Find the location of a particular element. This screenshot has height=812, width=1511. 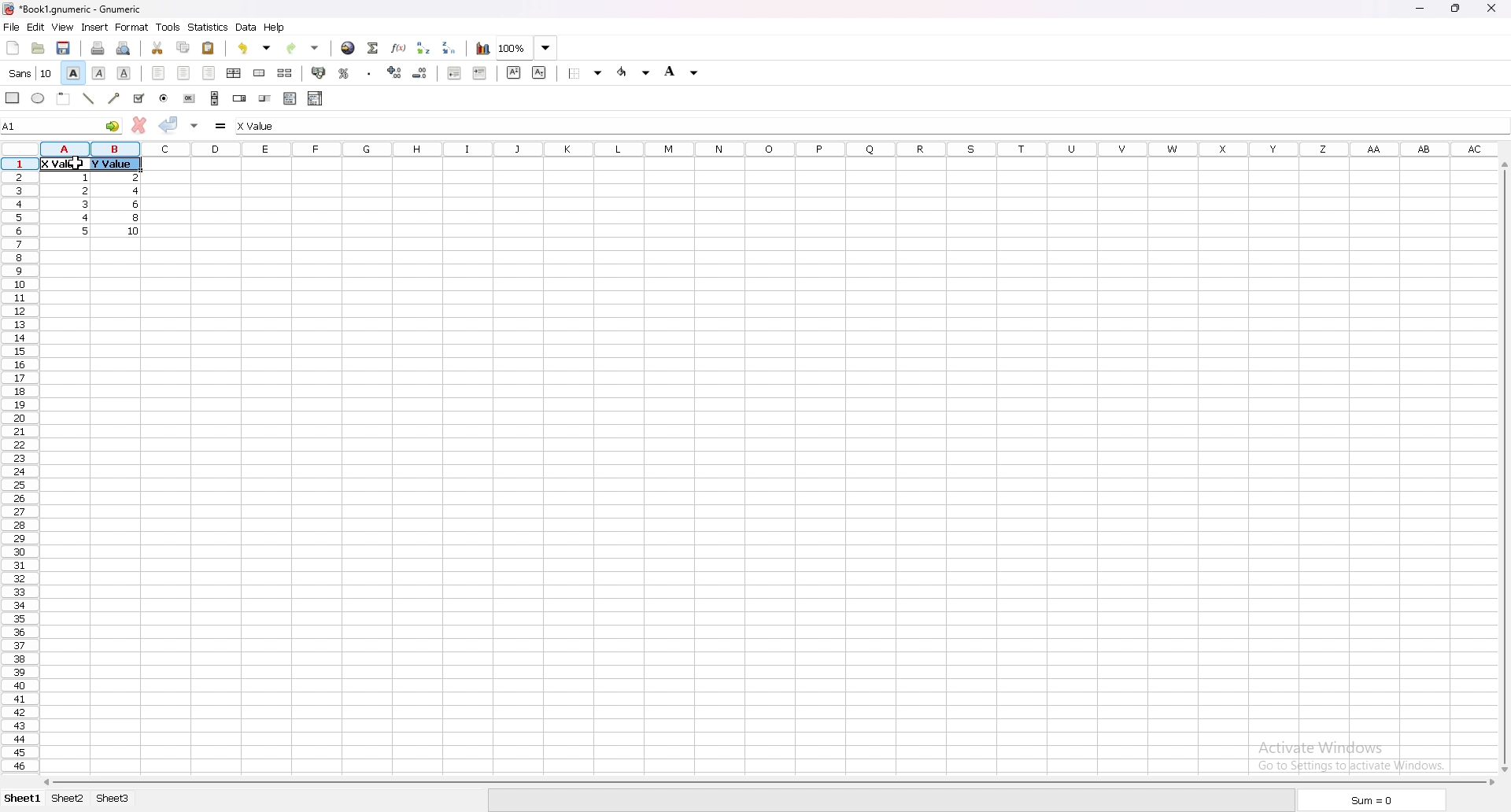

border is located at coordinates (587, 72).